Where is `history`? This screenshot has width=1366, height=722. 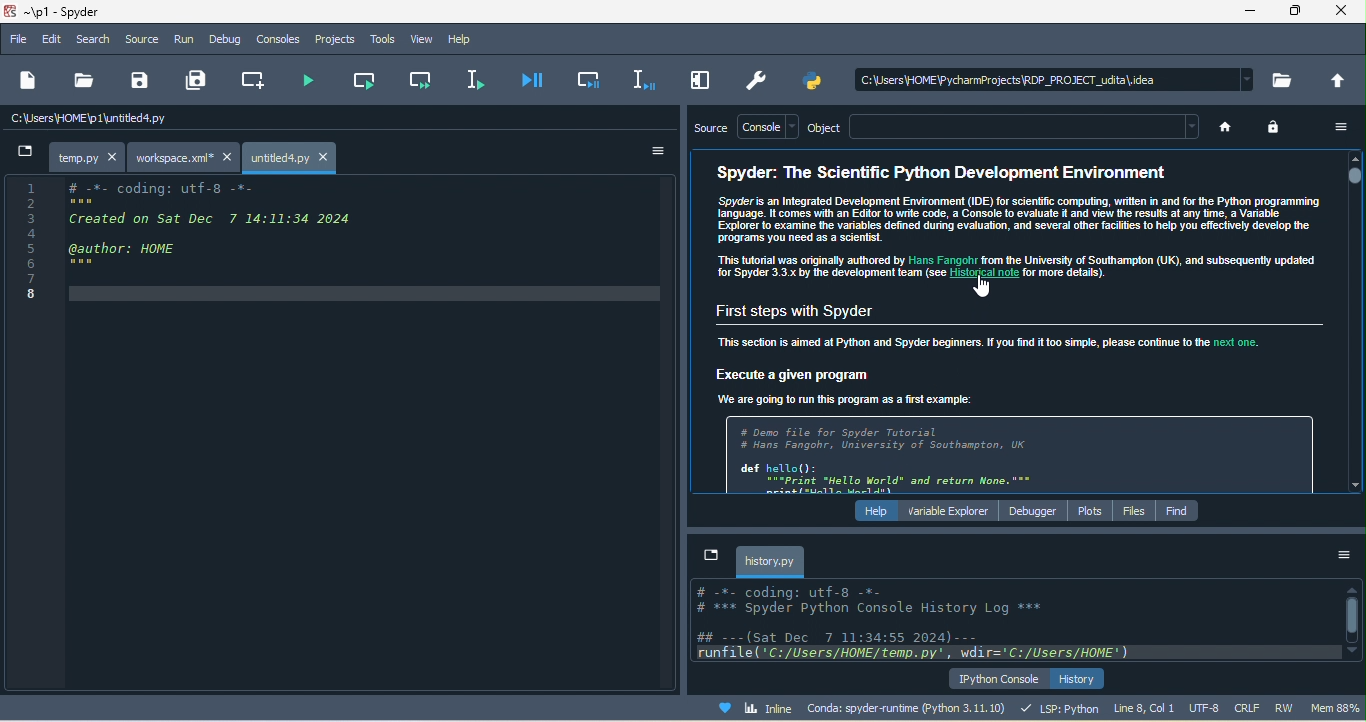
history is located at coordinates (761, 560).